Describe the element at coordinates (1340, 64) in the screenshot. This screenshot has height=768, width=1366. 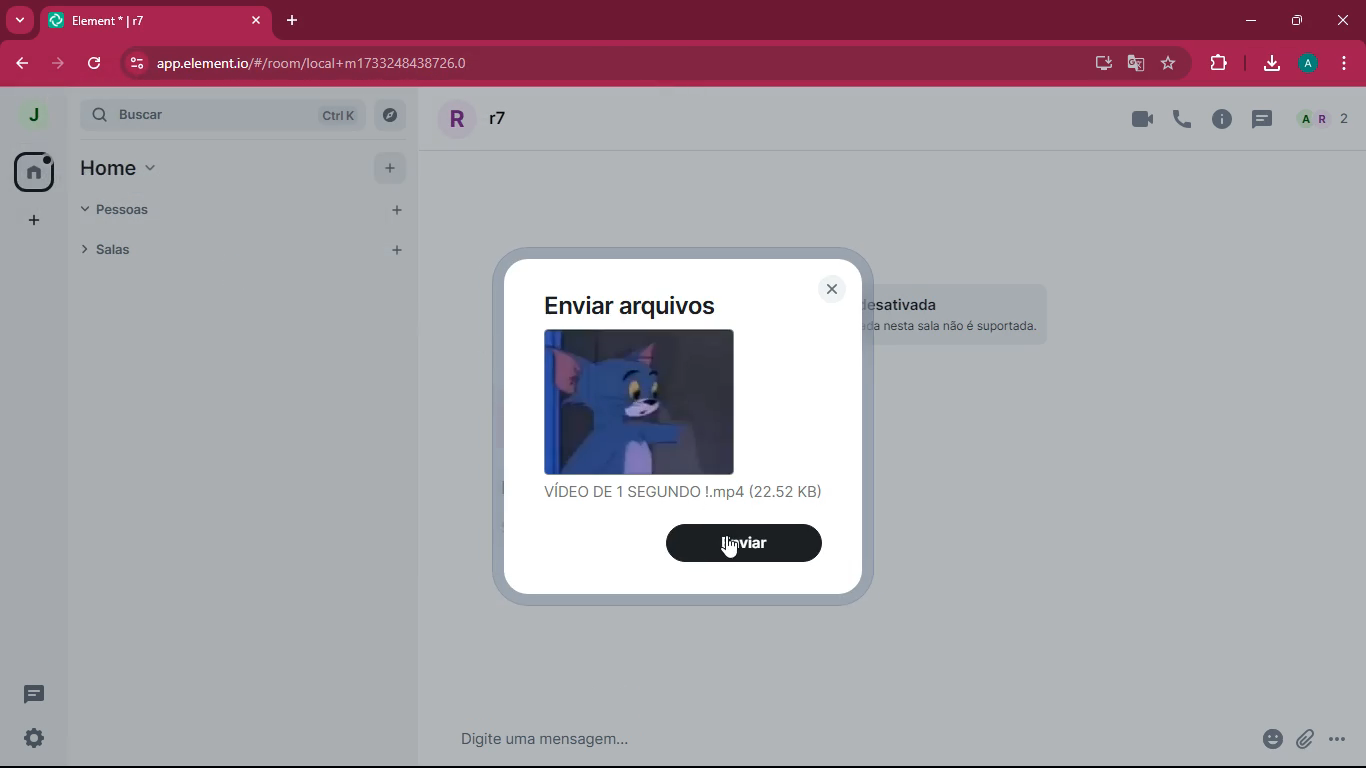
I see `menu` at that location.